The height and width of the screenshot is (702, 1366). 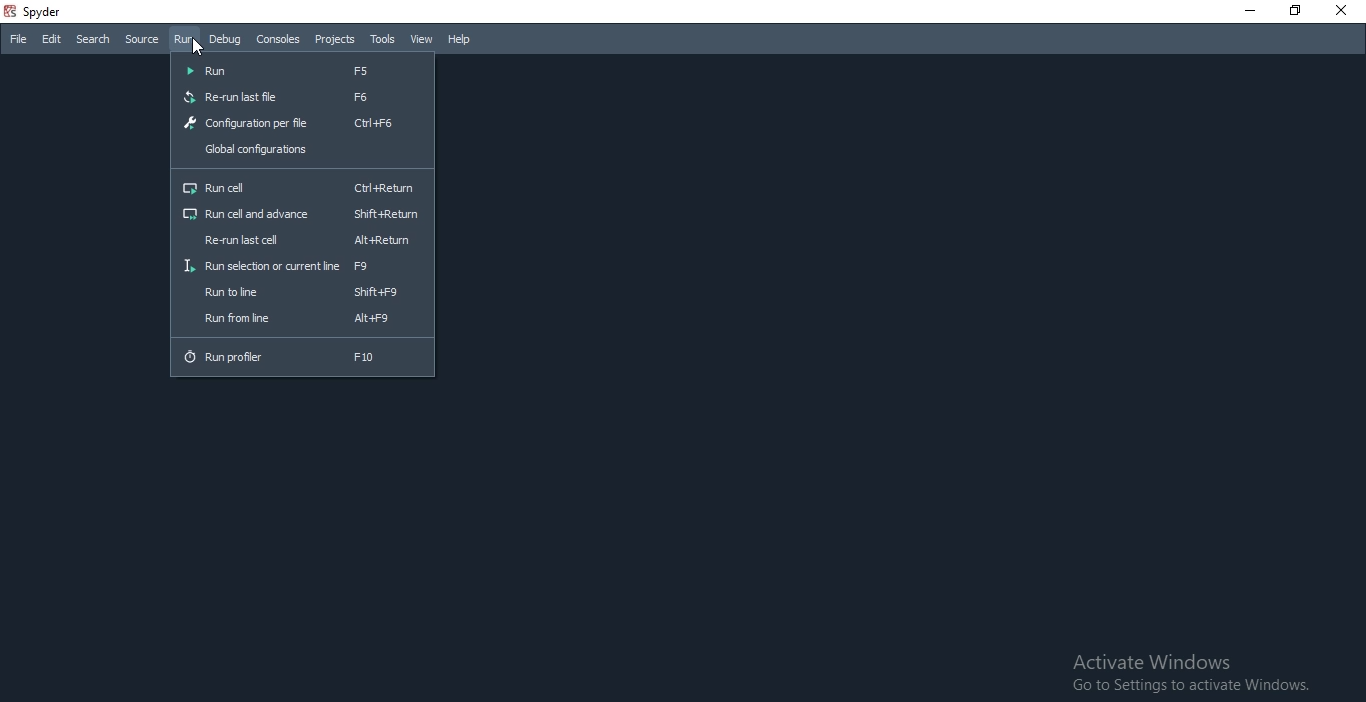 I want to click on run selection or current line, so click(x=302, y=267).